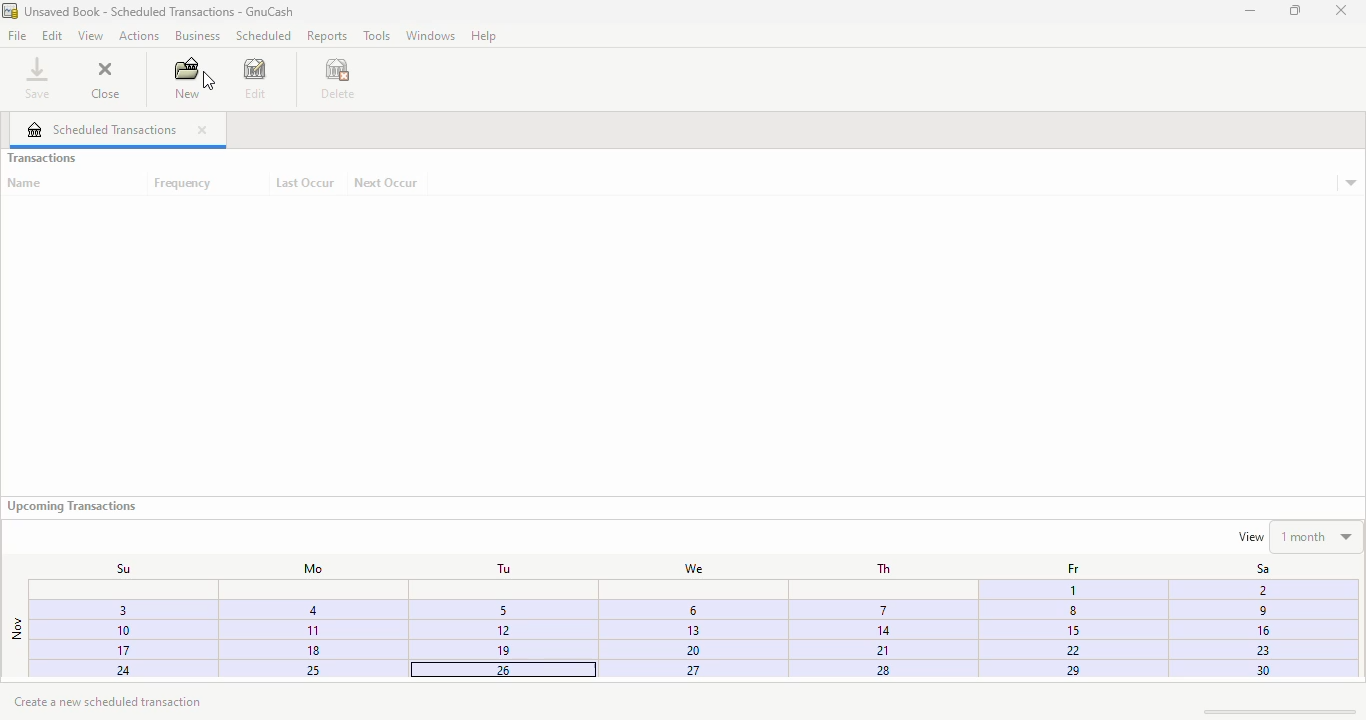  What do you see at coordinates (313, 649) in the screenshot?
I see `18` at bounding box center [313, 649].